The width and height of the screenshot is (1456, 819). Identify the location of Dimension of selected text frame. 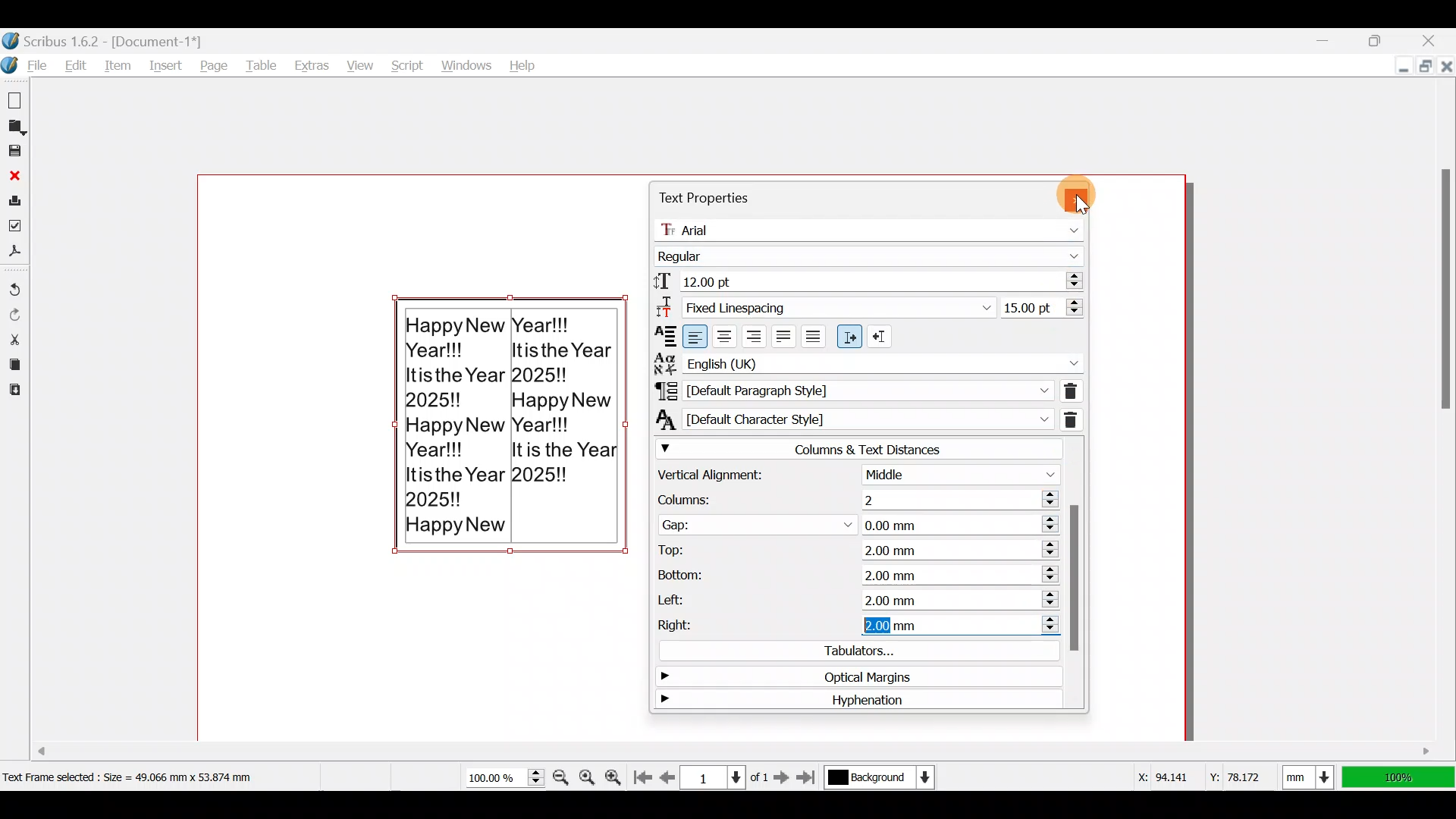
(149, 777).